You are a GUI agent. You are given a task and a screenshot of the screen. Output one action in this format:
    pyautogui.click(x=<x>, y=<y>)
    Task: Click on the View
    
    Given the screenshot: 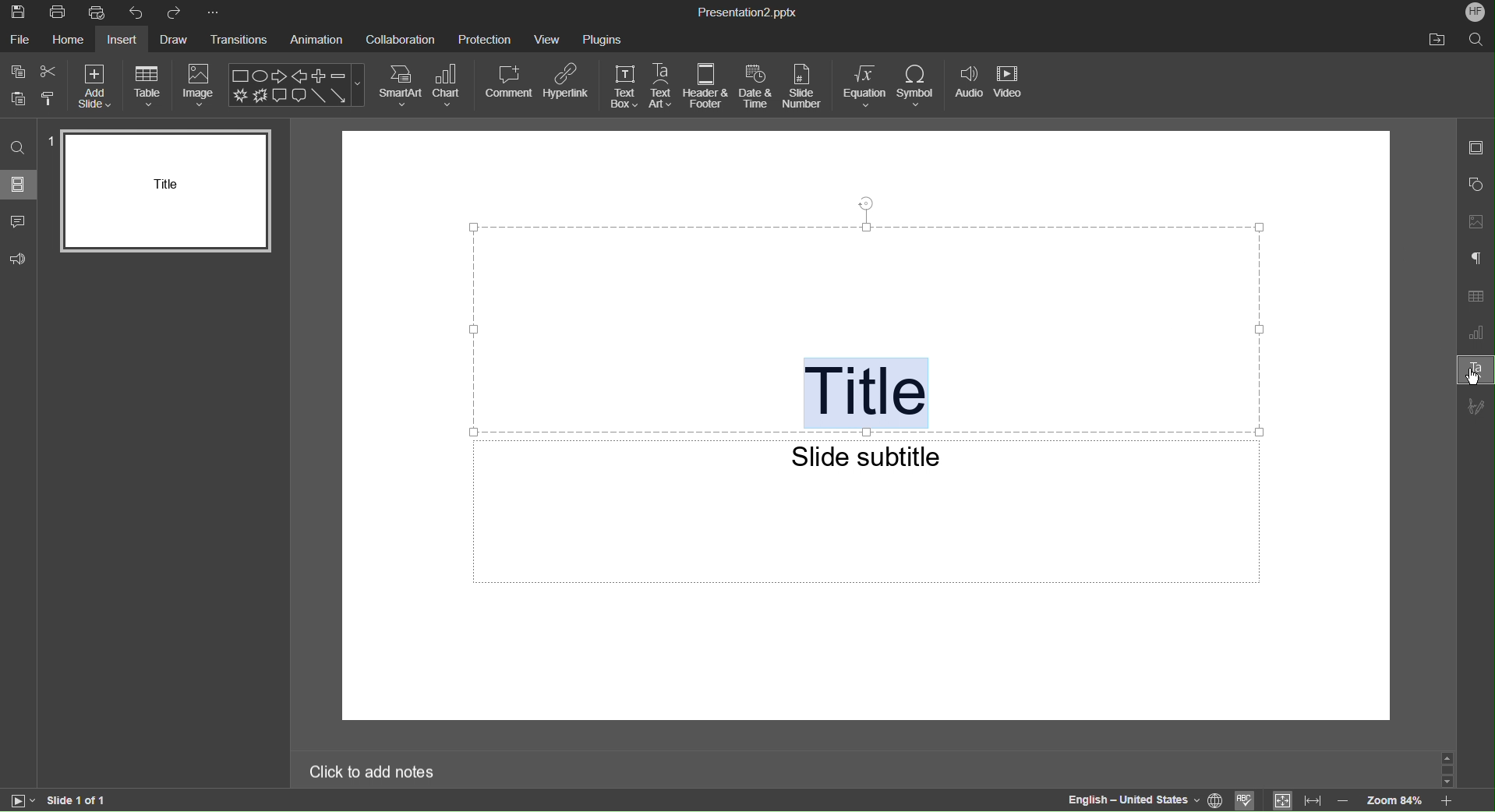 What is the action you would take?
    pyautogui.click(x=550, y=38)
    